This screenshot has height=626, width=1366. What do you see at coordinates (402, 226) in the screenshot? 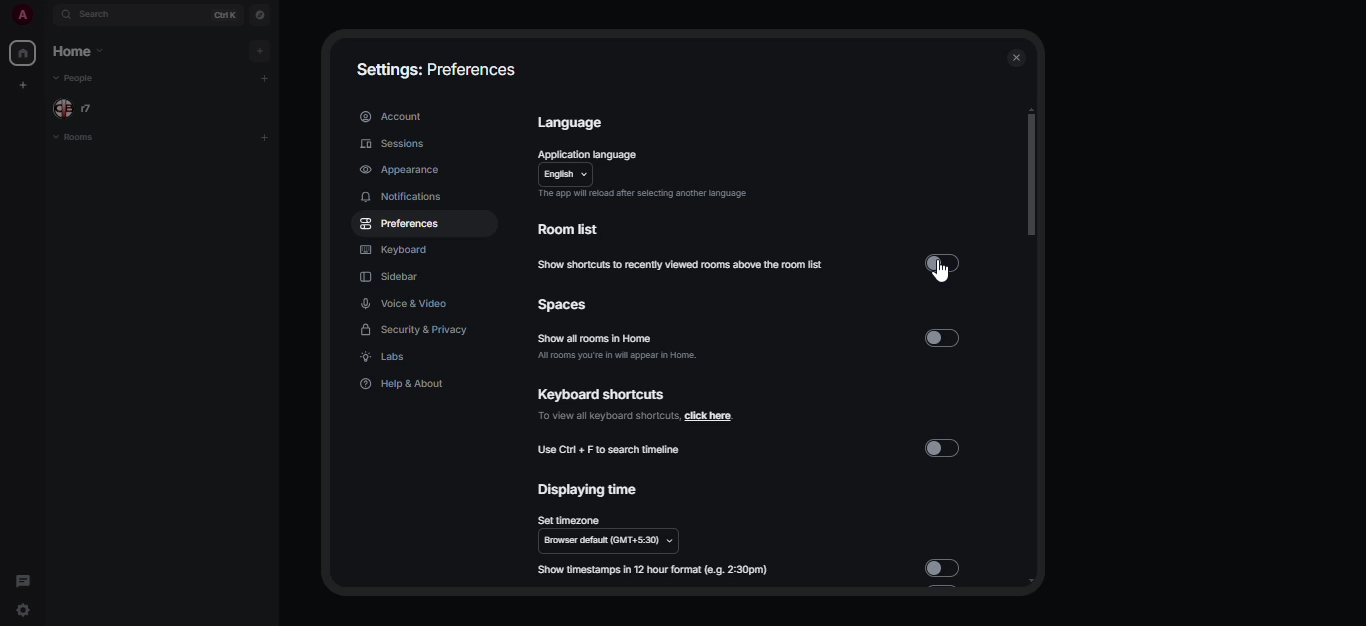
I see `preferences` at bounding box center [402, 226].